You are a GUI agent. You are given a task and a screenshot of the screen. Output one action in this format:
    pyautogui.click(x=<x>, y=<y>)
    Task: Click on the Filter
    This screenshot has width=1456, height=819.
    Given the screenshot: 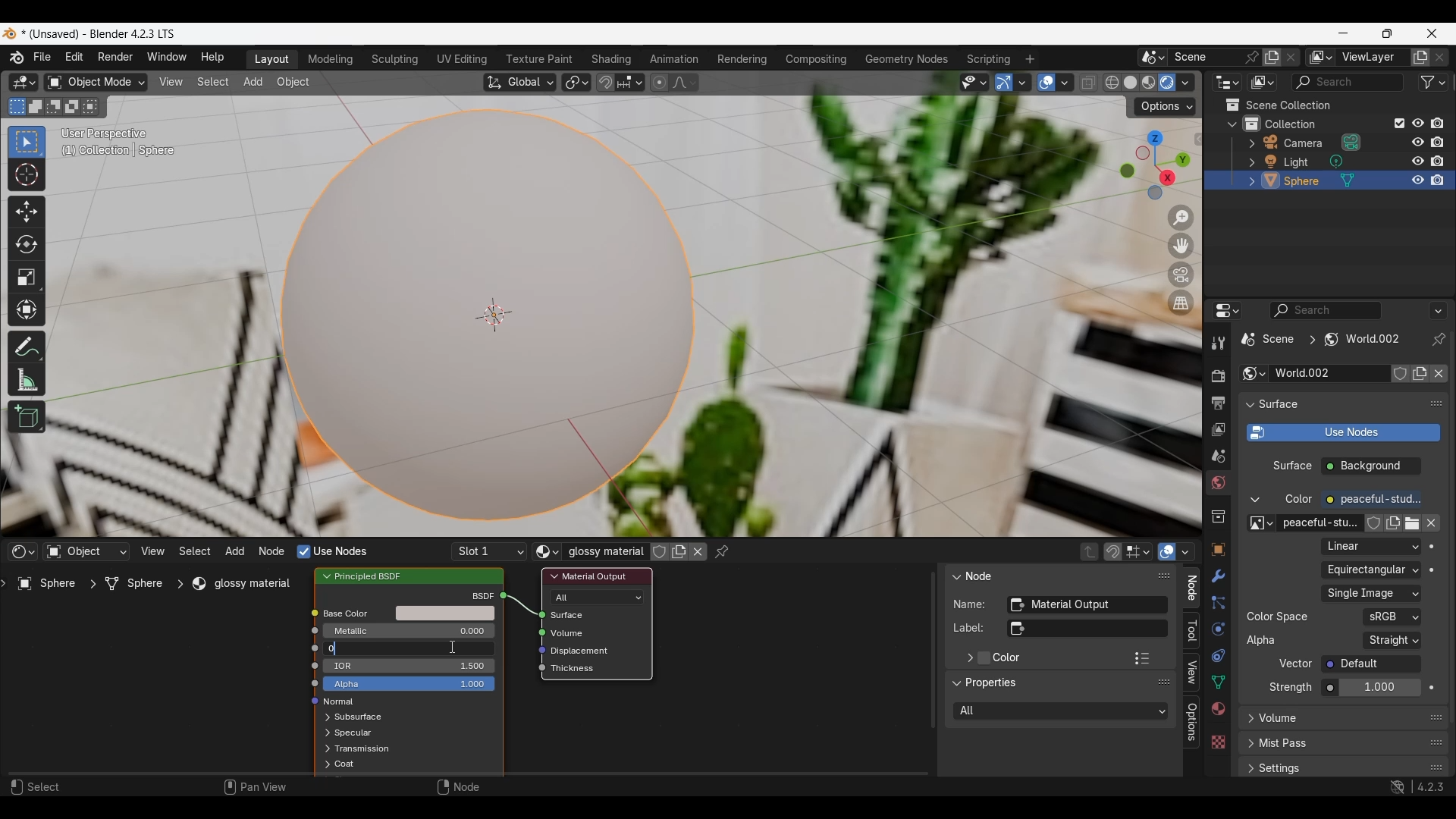 What is the action you would take?
    pyautogui.click(x=1432, y=83)
    